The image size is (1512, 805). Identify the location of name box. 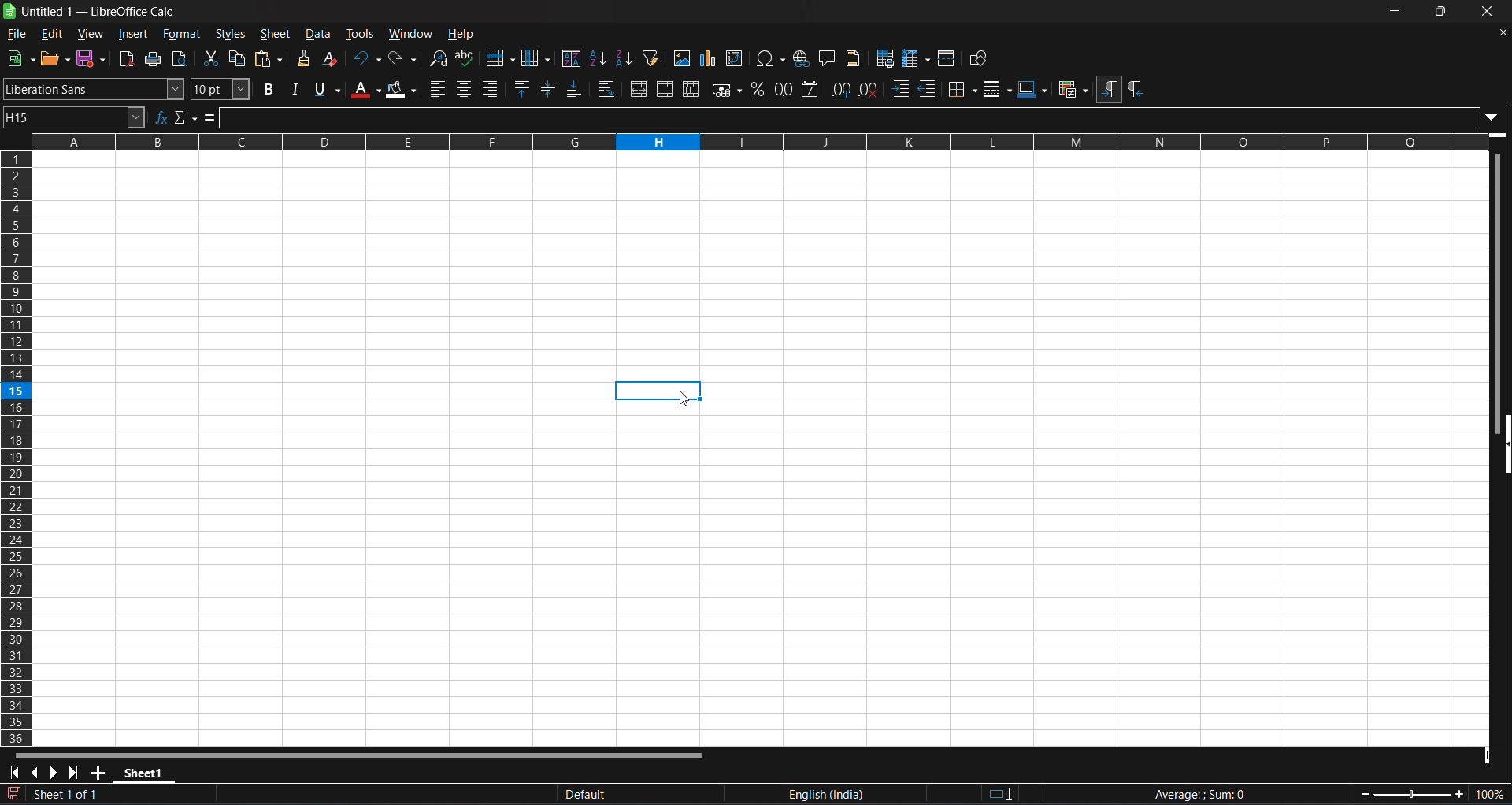
(75, 117).